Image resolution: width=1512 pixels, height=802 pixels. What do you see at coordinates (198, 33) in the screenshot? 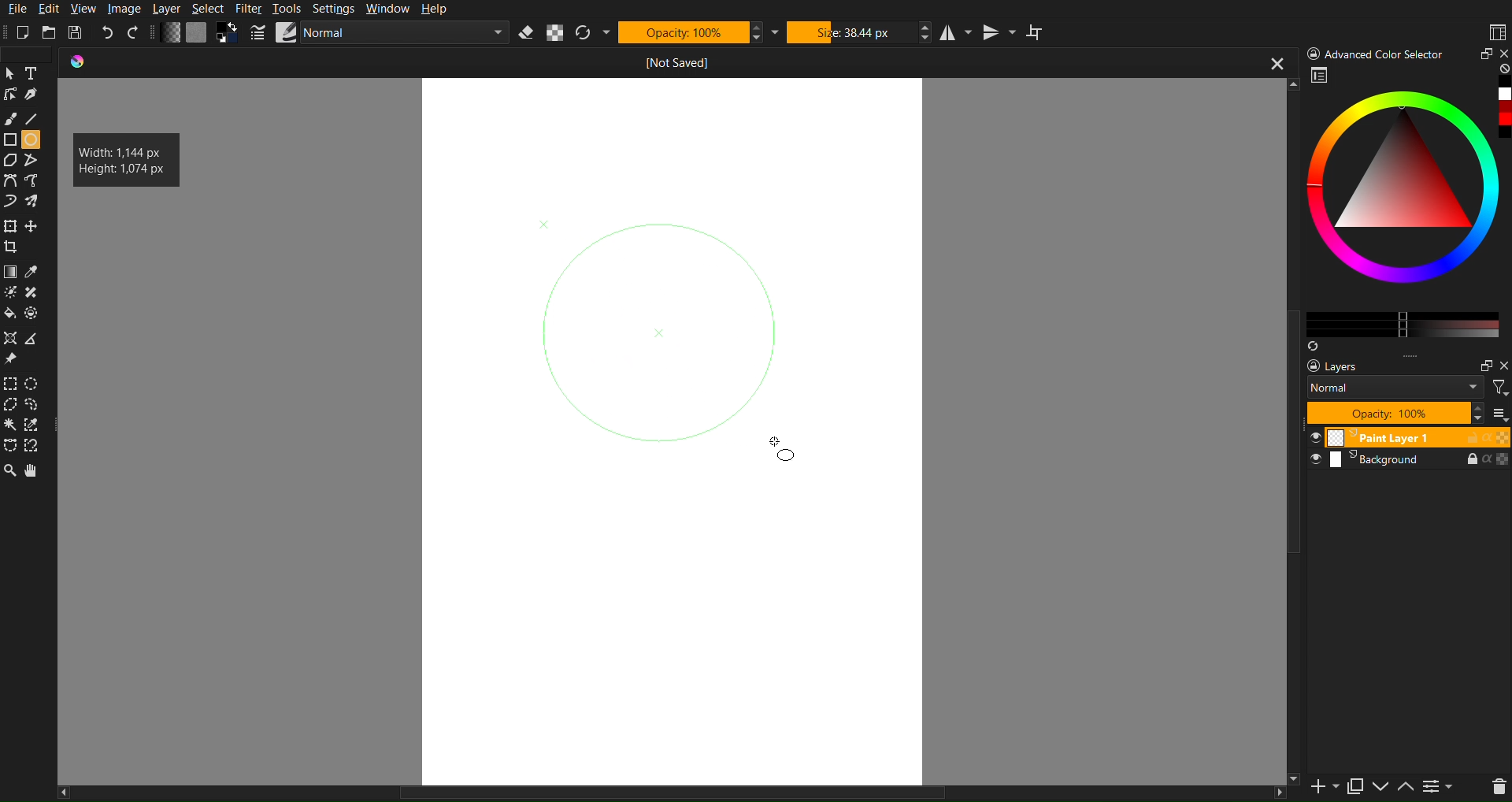
I see `Color Settings` at bounding box center [198, 33].